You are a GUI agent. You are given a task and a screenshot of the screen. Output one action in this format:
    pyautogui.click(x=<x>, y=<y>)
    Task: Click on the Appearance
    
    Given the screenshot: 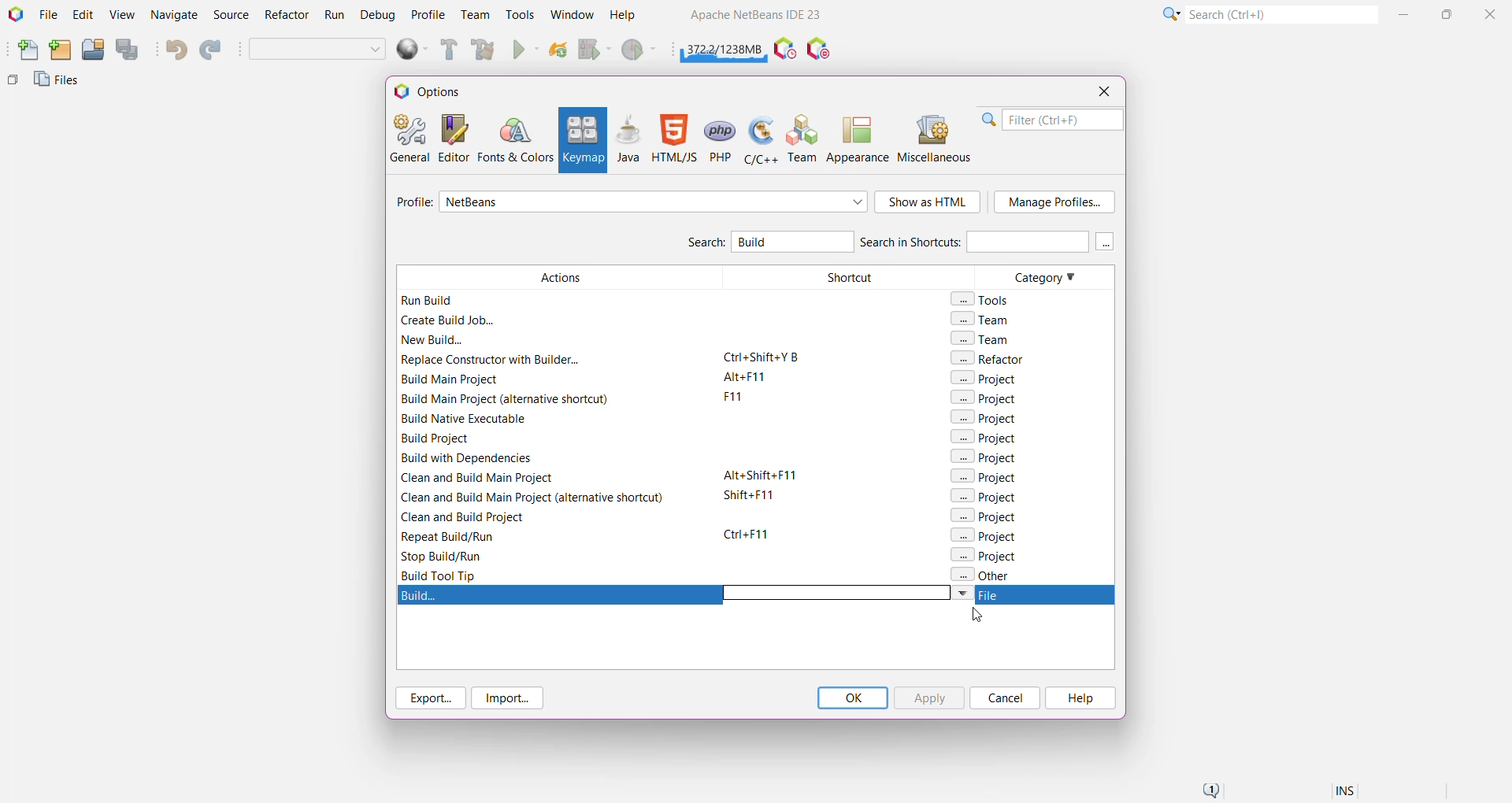 What is the action you would take?
    pyautogui.click(x=858, y=139)
    